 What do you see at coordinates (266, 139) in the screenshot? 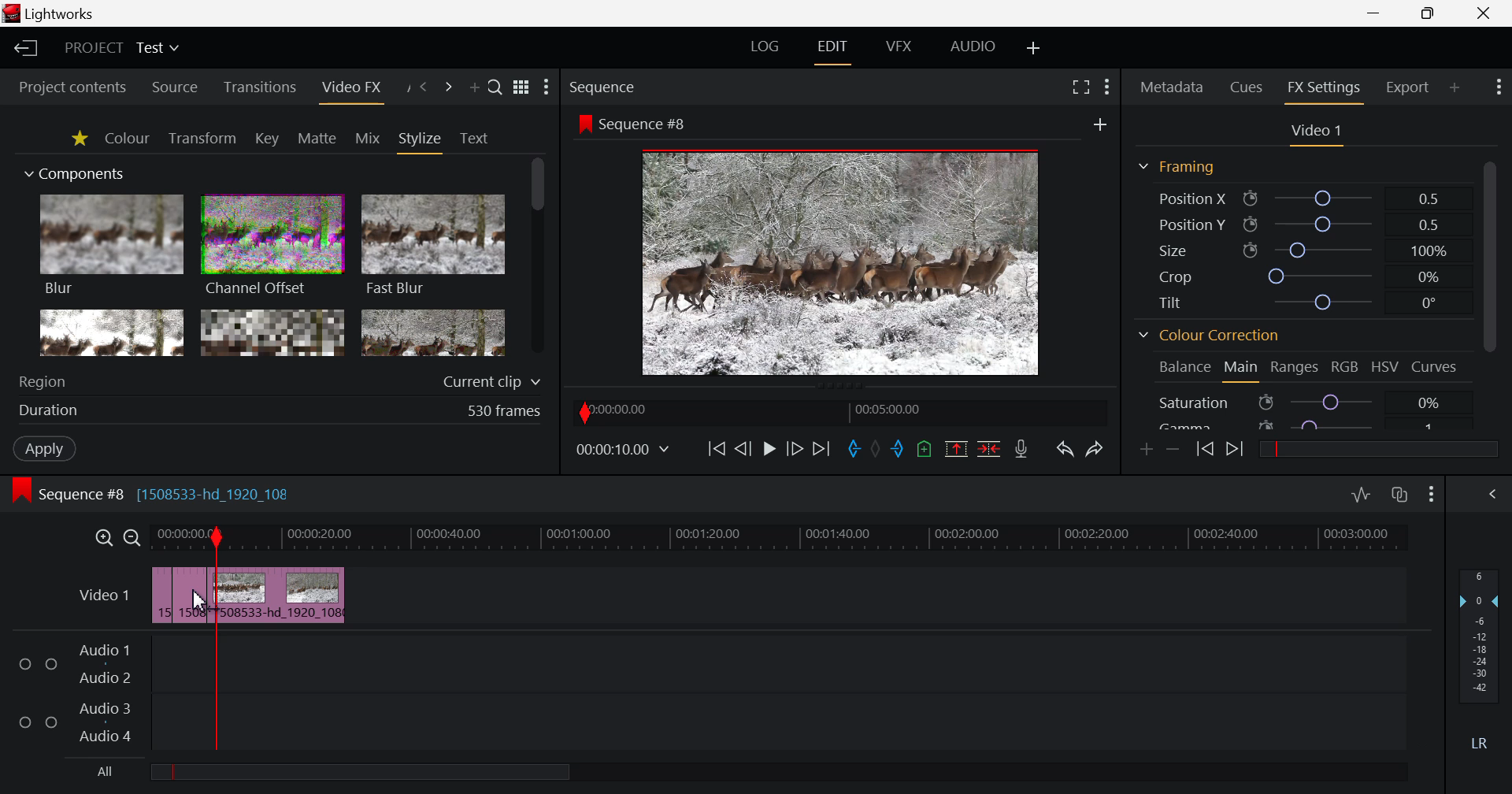
I see `Key` at bounding box center [266, 139].